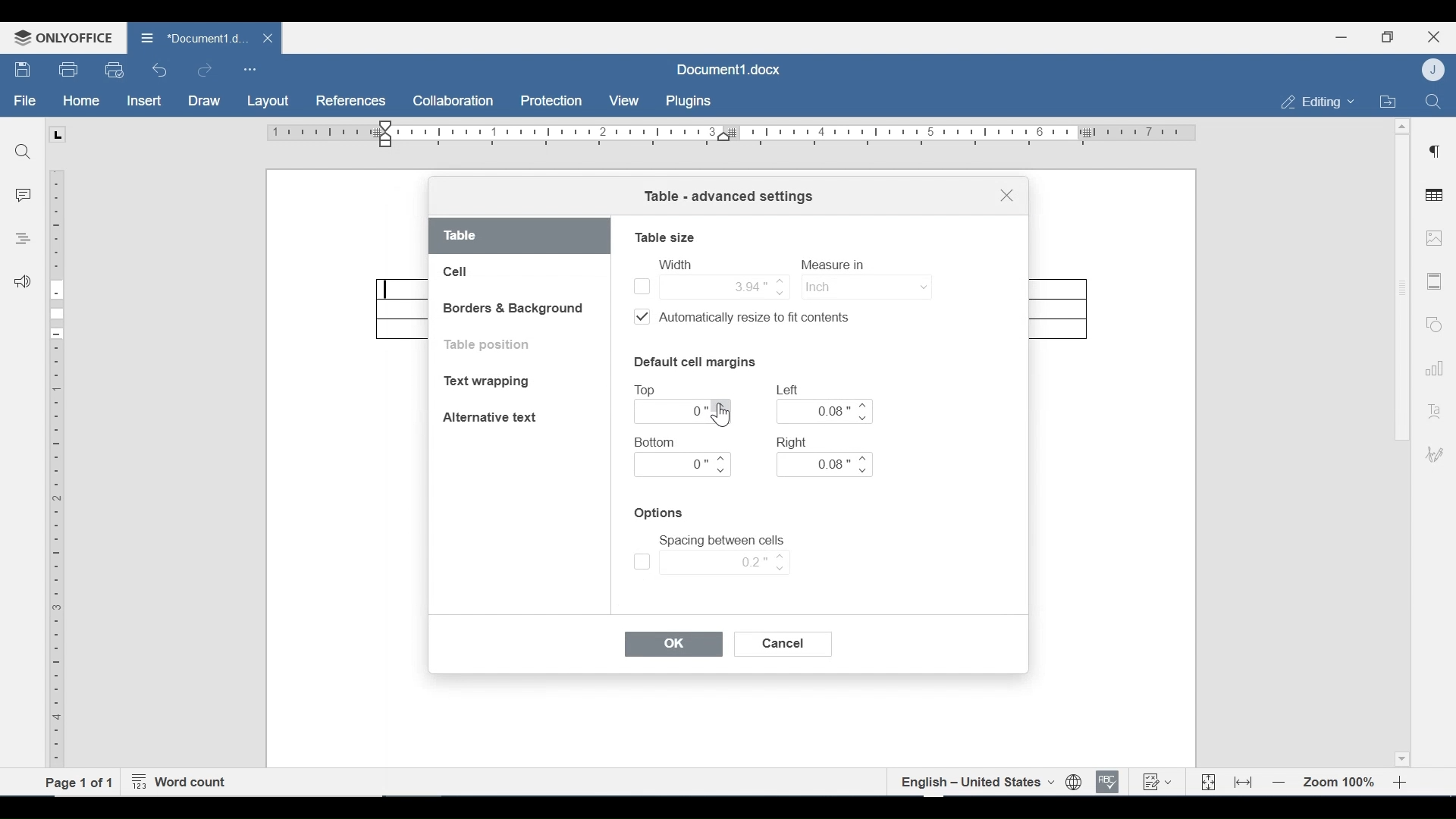  What do you see at coordinates (1207, 783) in the screenshot?
I see `Fit to Page` at bounding box center [1207, 783].